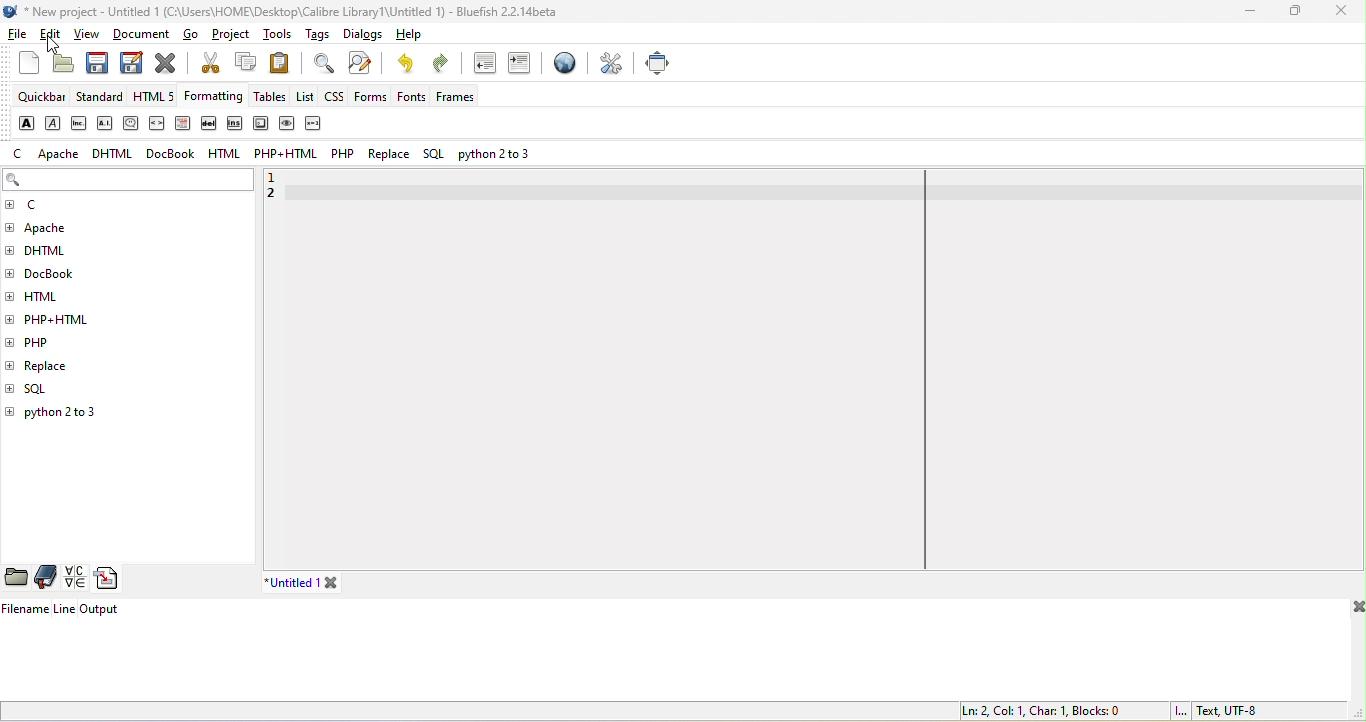  I want to click on tables, so click(272, 99).